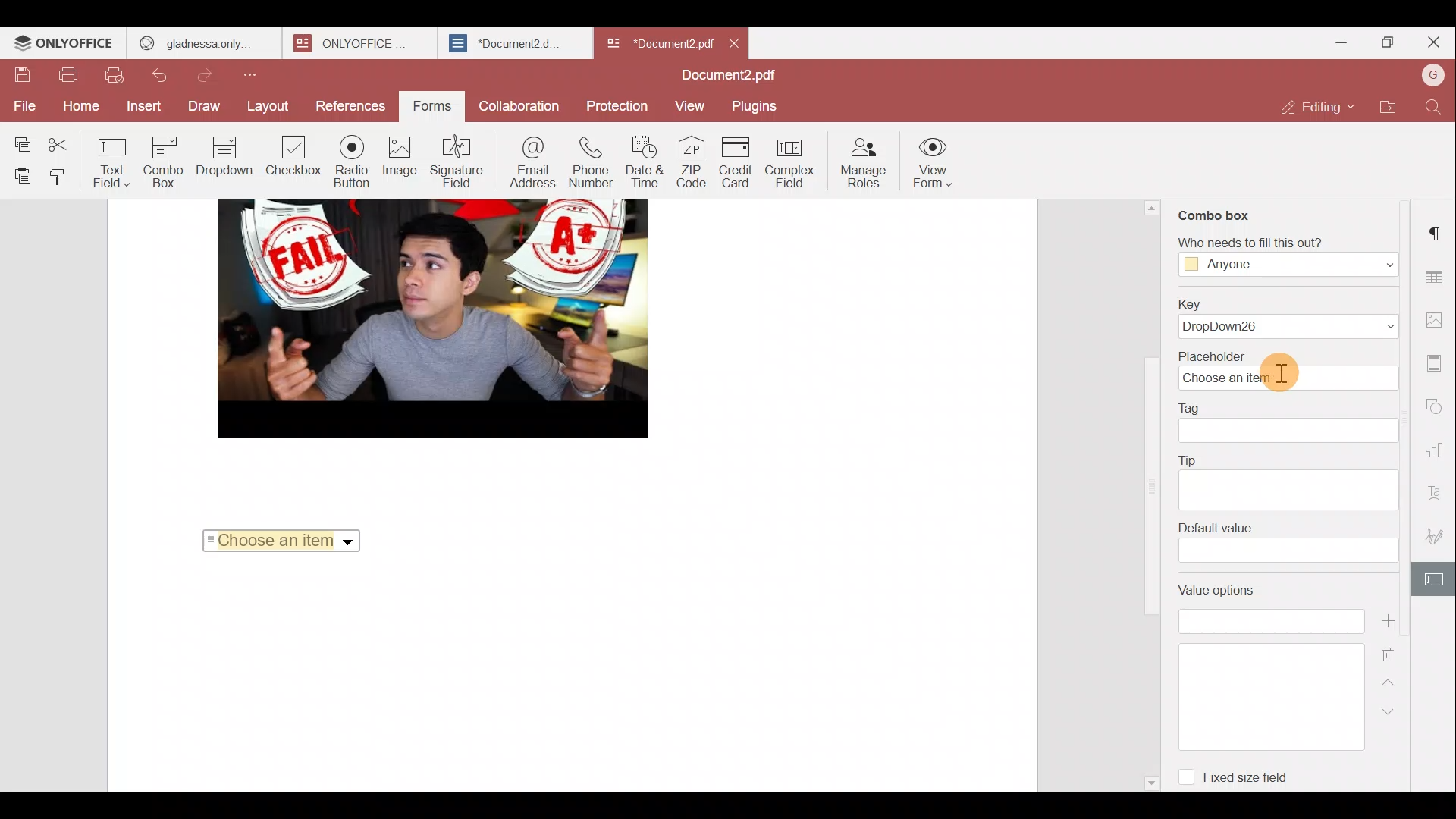 This screenshot has width=1456, height=819. What do you see at coordinates (1286, 372) in the screenshot?
I see `Placeholder` at bounding box center [1286, 372].